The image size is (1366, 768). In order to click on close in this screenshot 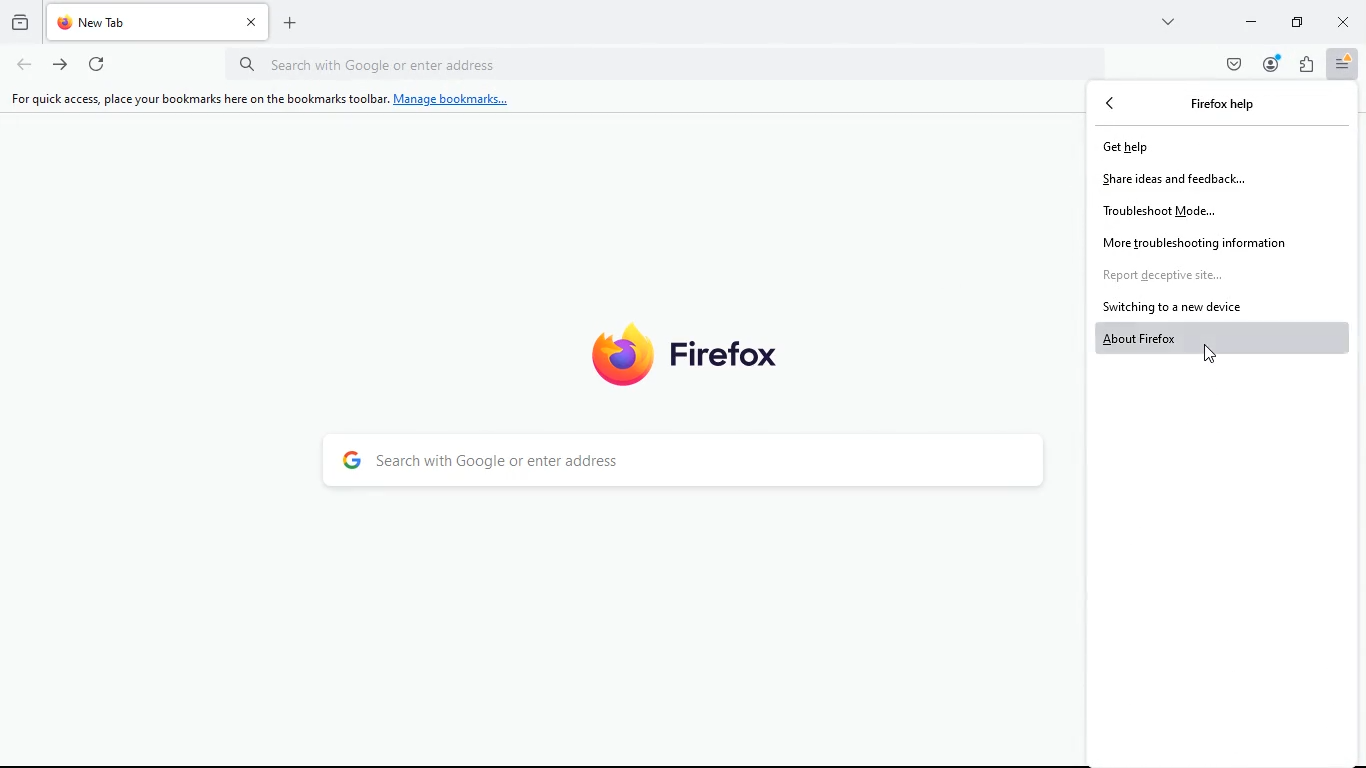, I will do `click(1345, 22)`.